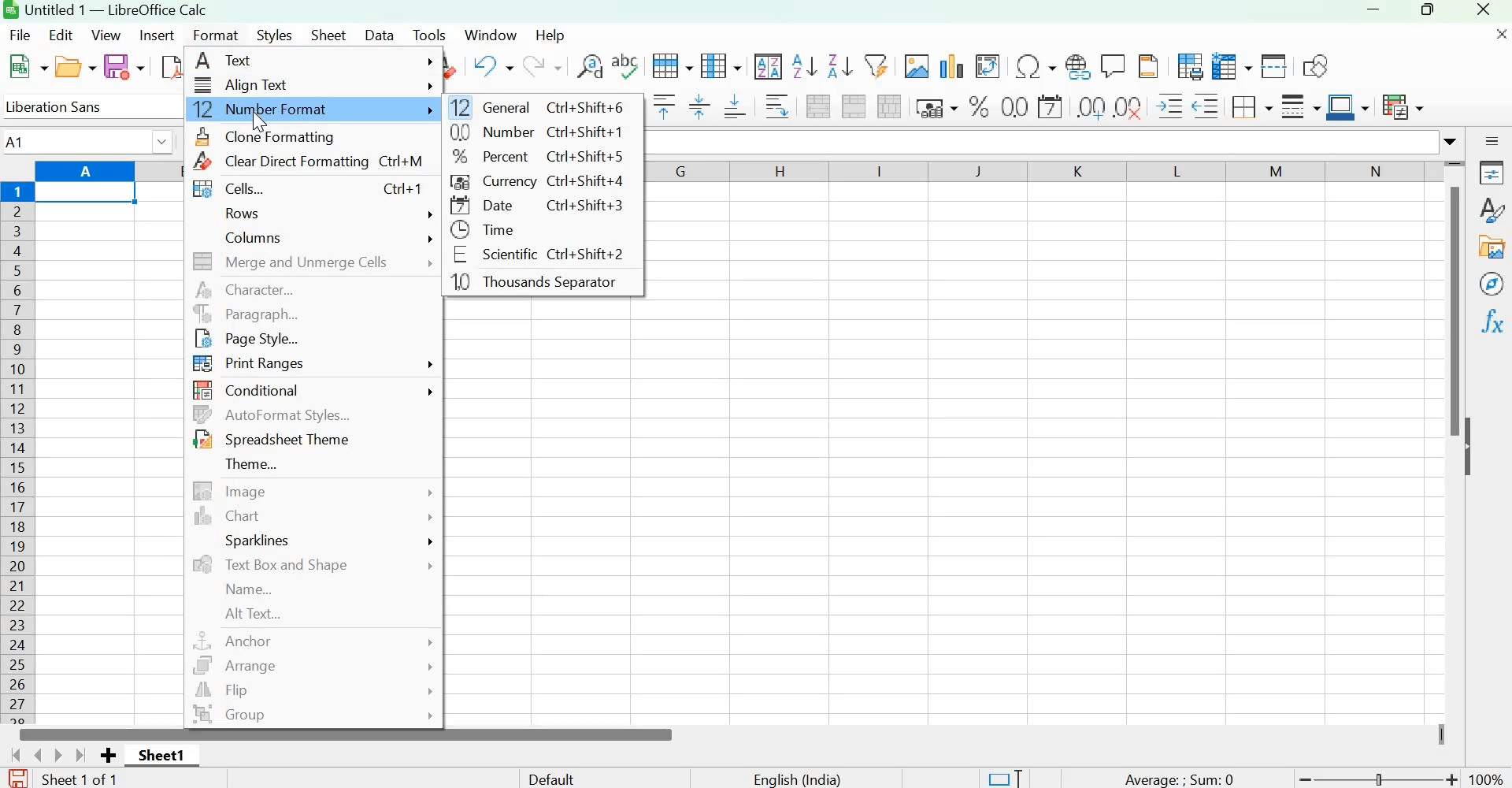 This screenshot has height=788, width=1512. I want to click on Scrollbar, so click(1449, 314).